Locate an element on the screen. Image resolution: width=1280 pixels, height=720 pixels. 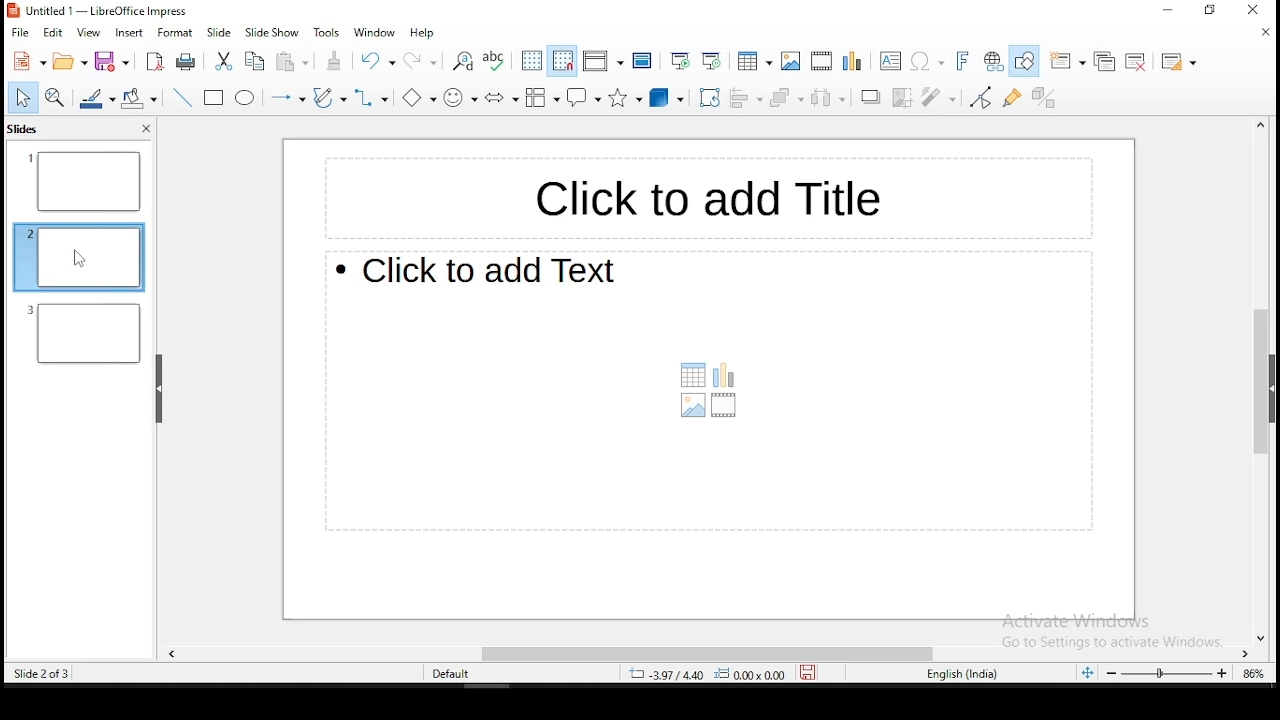
stars and banners is located at coordinates (628, 99).